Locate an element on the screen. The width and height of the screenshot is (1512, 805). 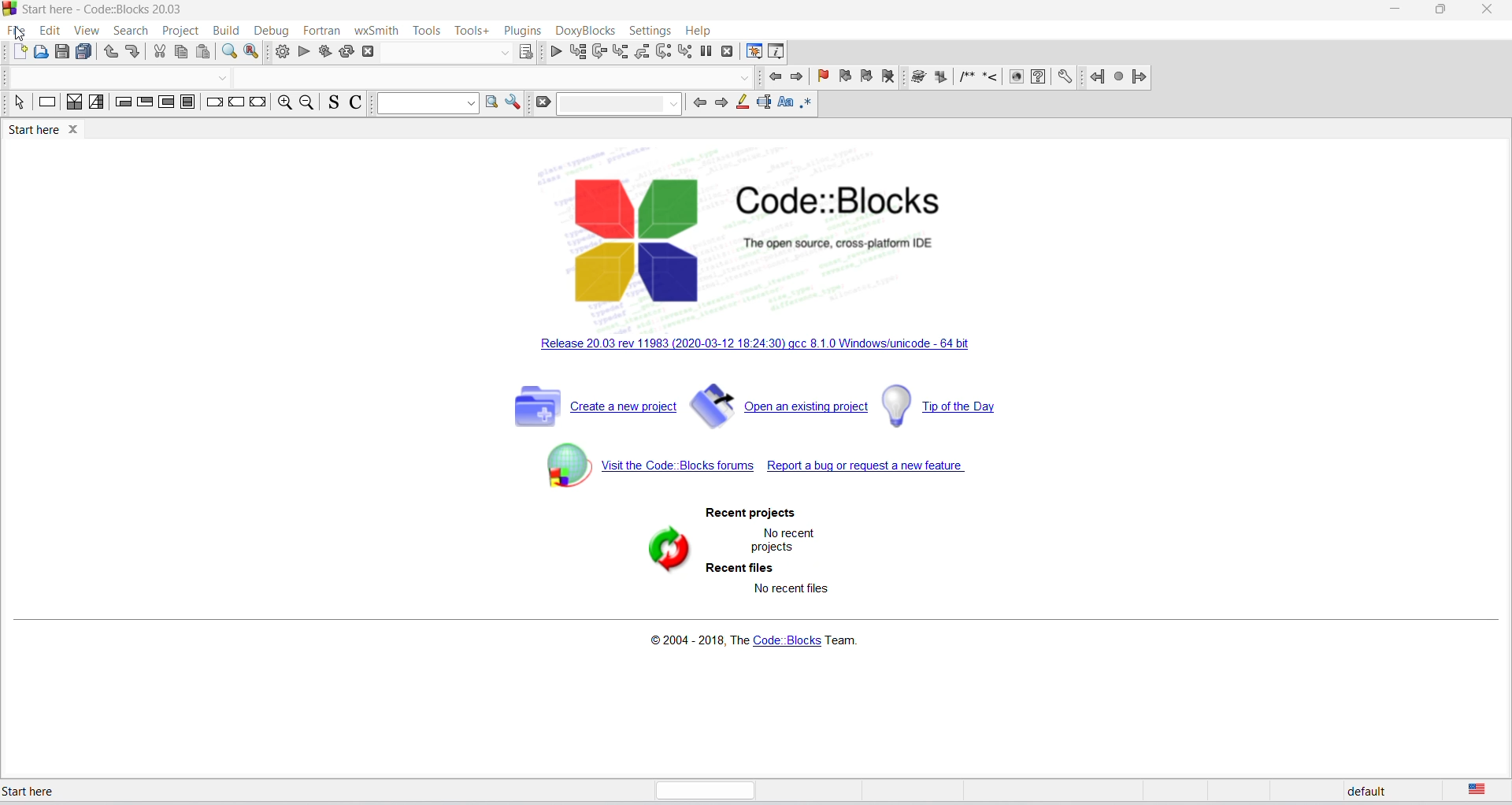
zoom in is located at coordinates (284, 103).